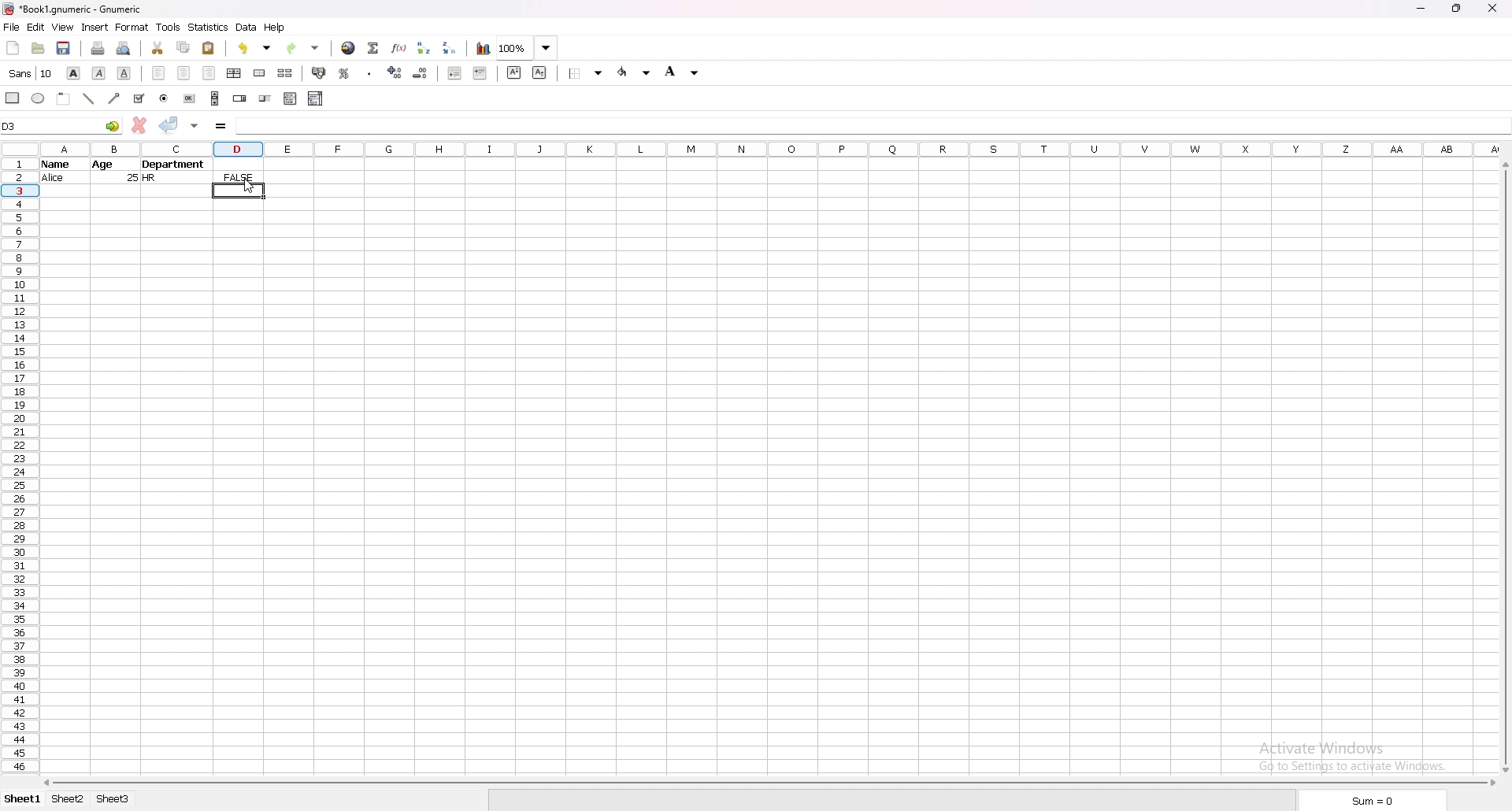  I want to click on sheet 1, so click(22, 799).